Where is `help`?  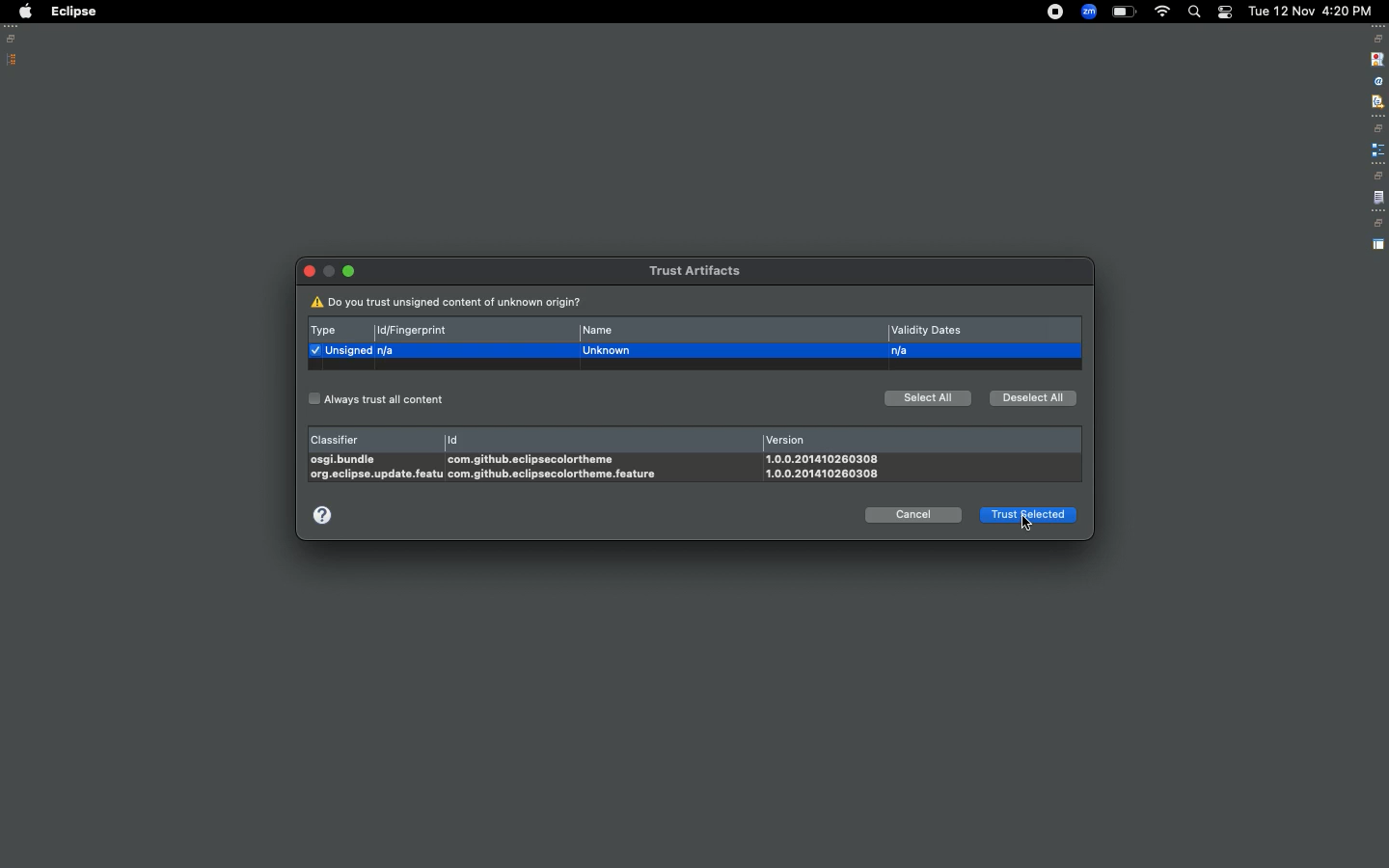 help is located at coordinates (323, 516).